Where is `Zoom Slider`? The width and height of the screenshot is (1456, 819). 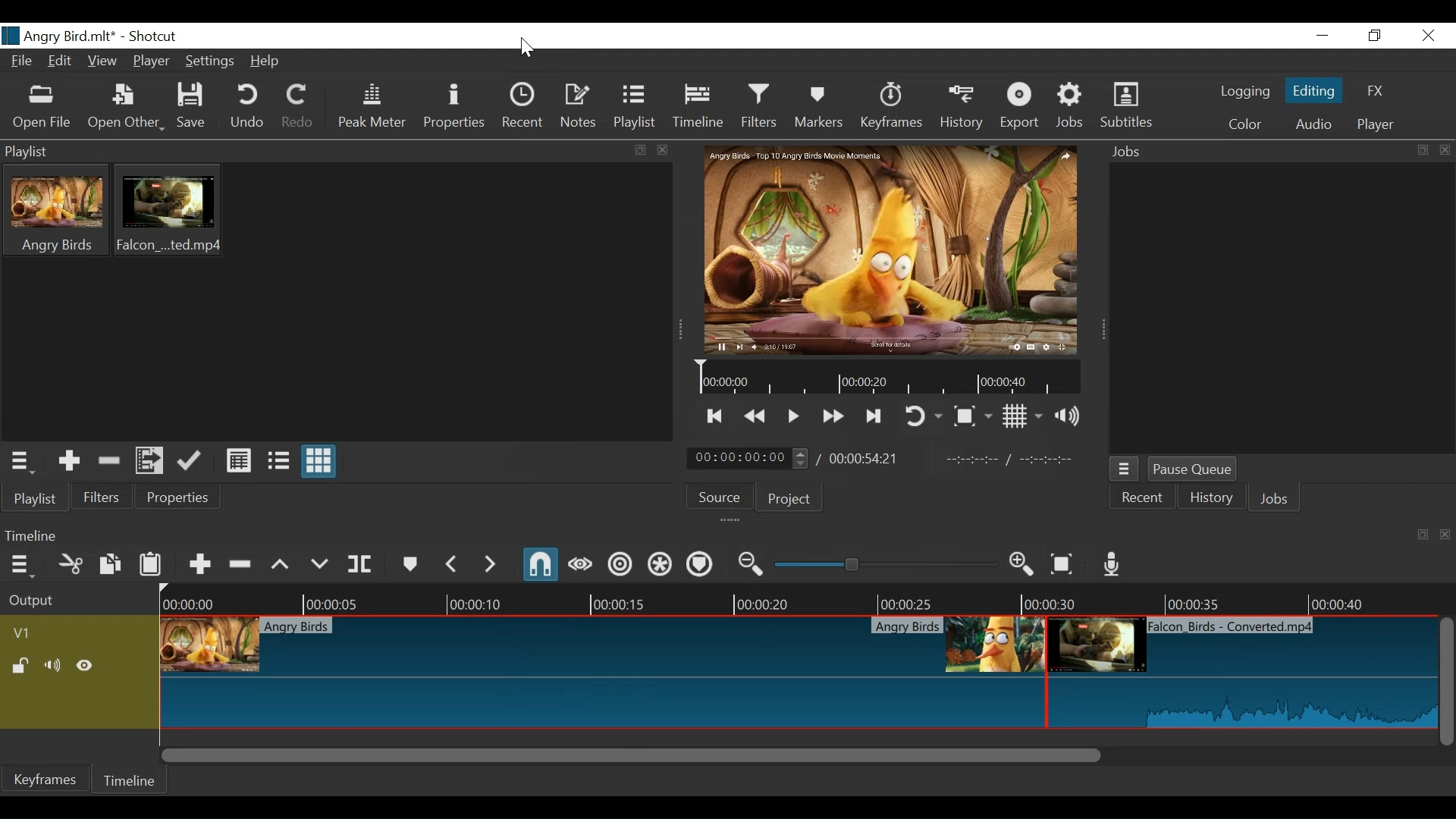
Zoom Slider is located at coordinates (886, 565).